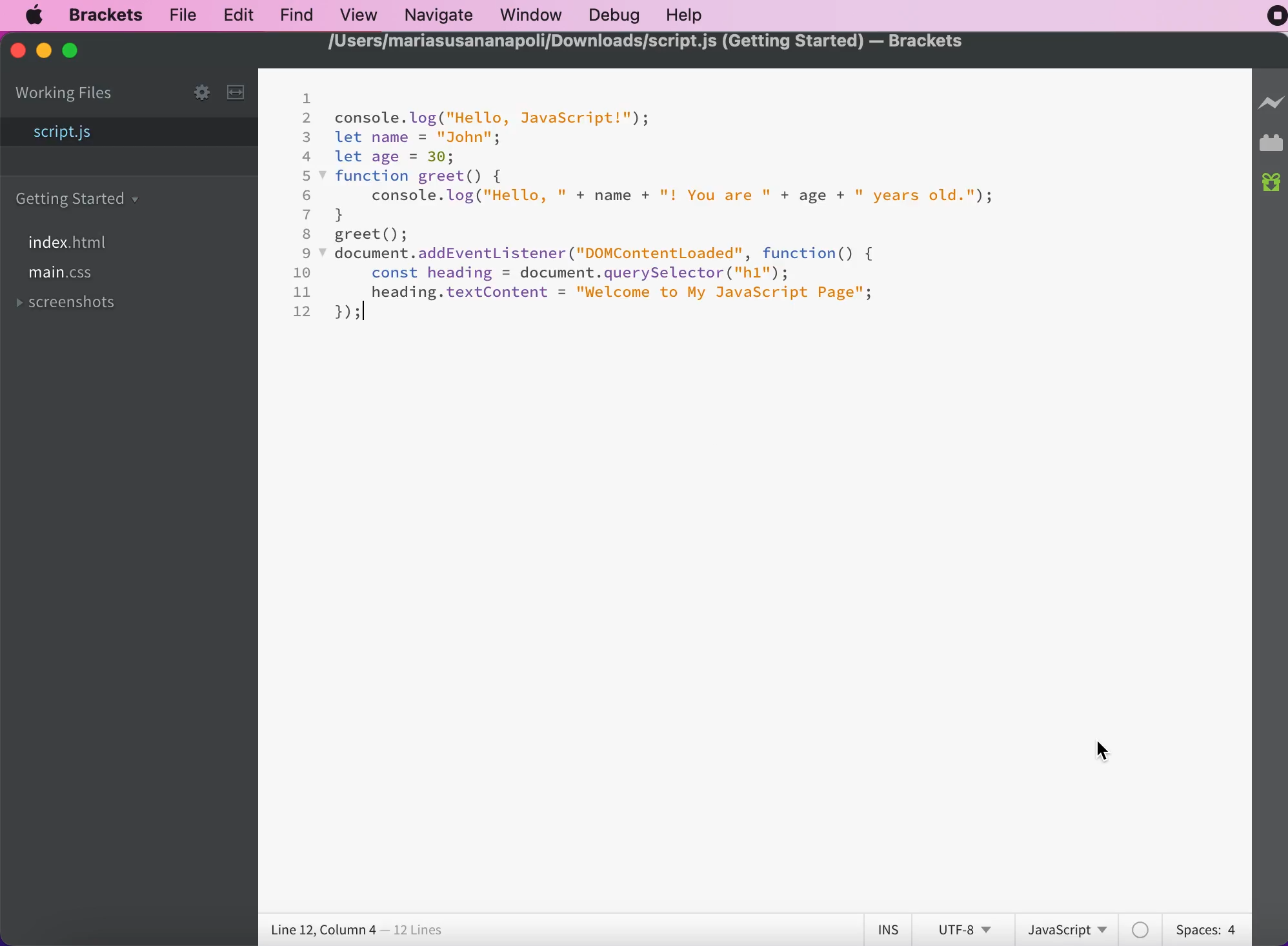 Image resolution: width=1288 pixels, height=946 pixels. I want to click on line 12, column 4 - 12 lines, so click(358, 931).